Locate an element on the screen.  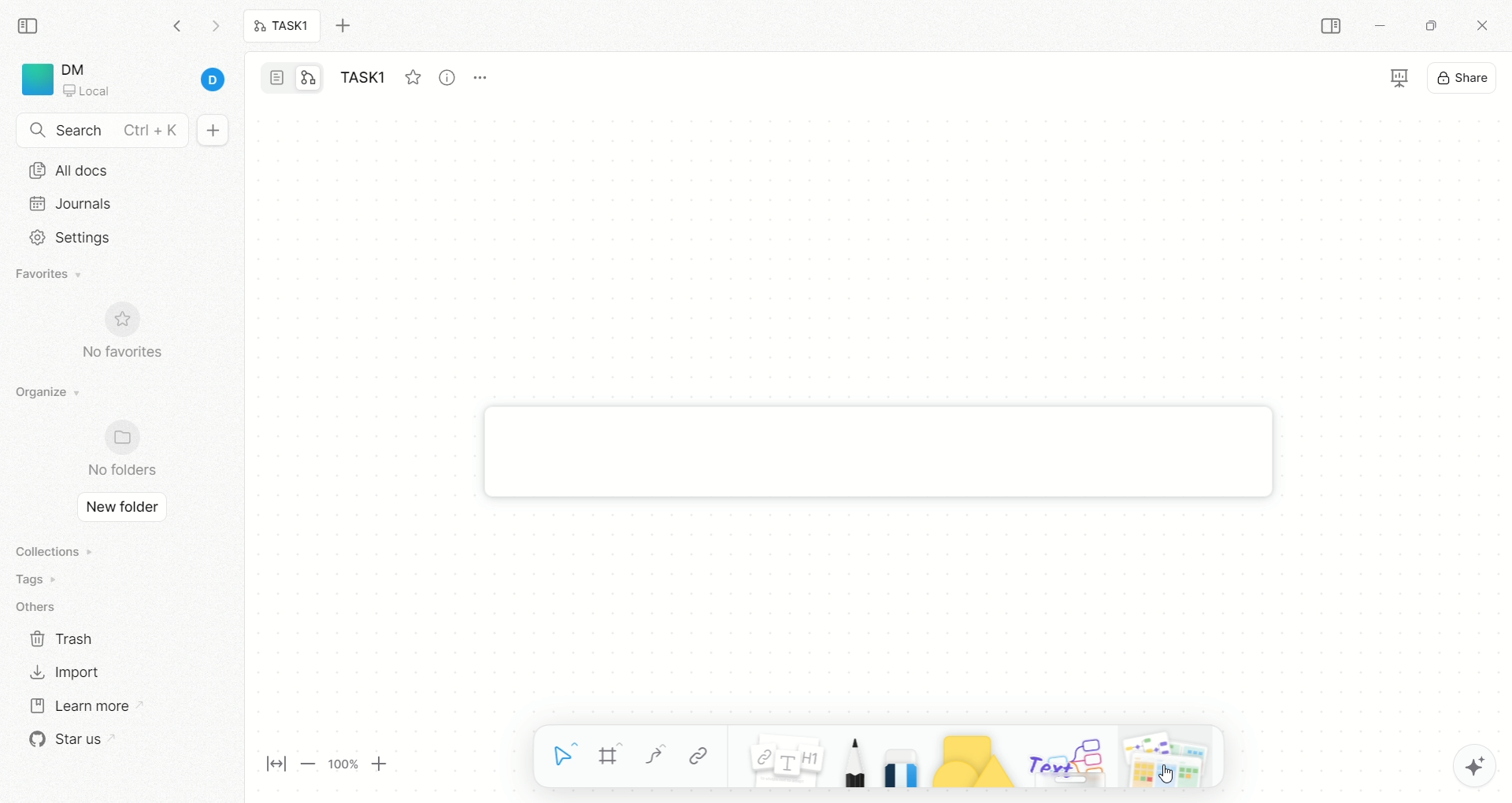
minimize is located at coordinates (1378, 28).